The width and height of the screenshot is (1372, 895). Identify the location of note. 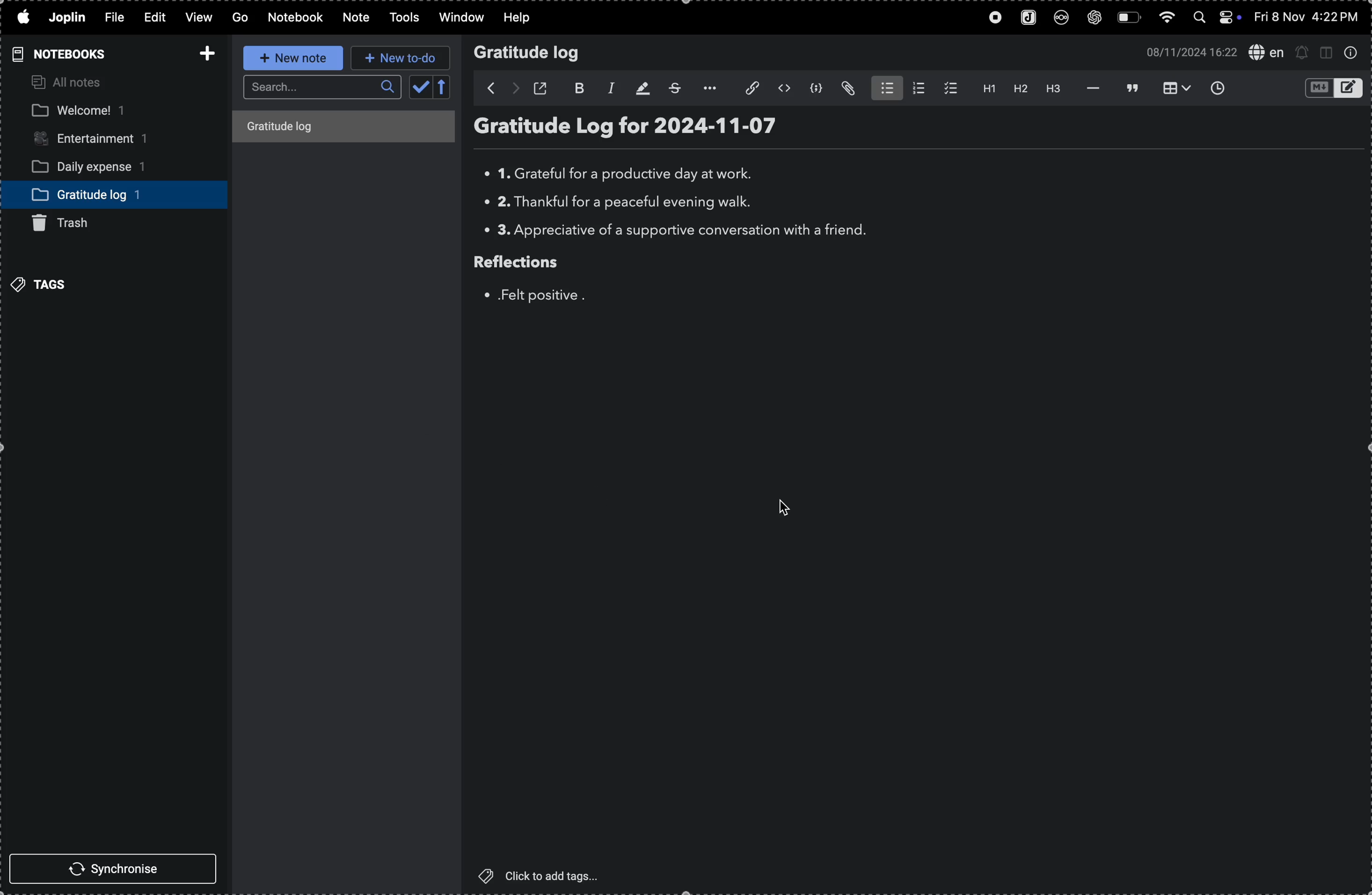
(357, 20).